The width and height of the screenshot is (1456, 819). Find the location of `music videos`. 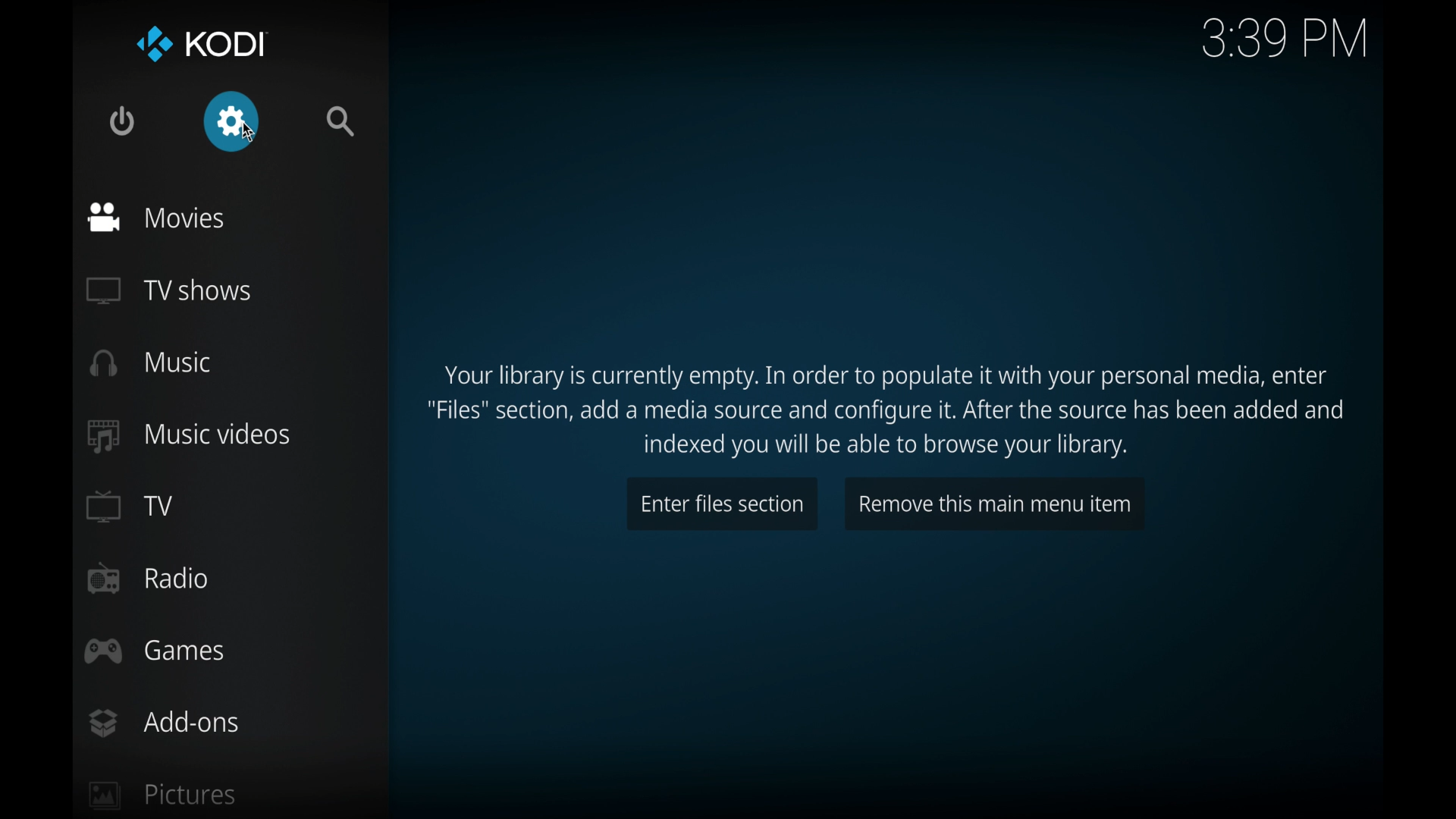

music videos is located at coordinates (187, 435).